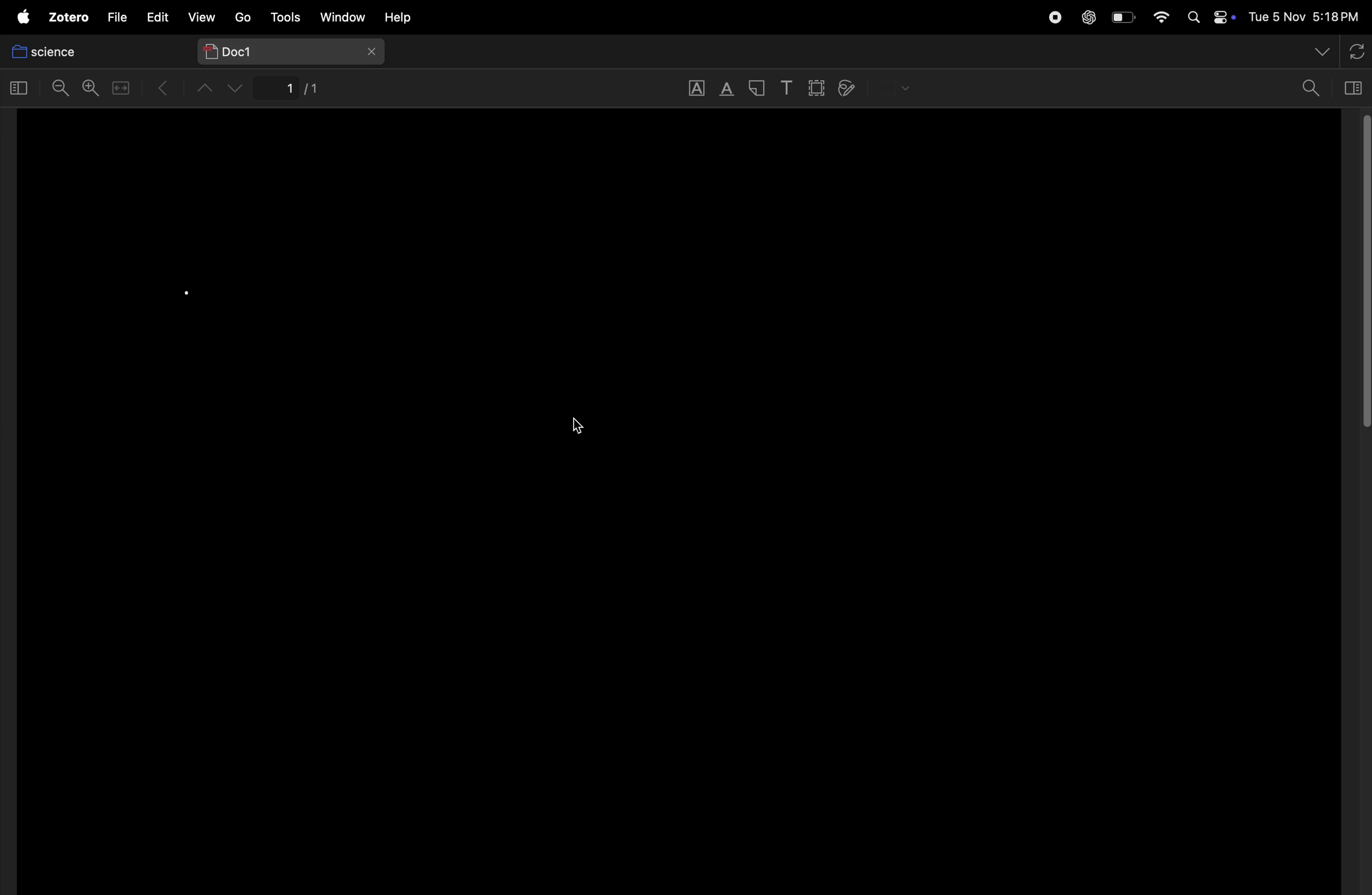  I want to click on search, so click(1312, 88).